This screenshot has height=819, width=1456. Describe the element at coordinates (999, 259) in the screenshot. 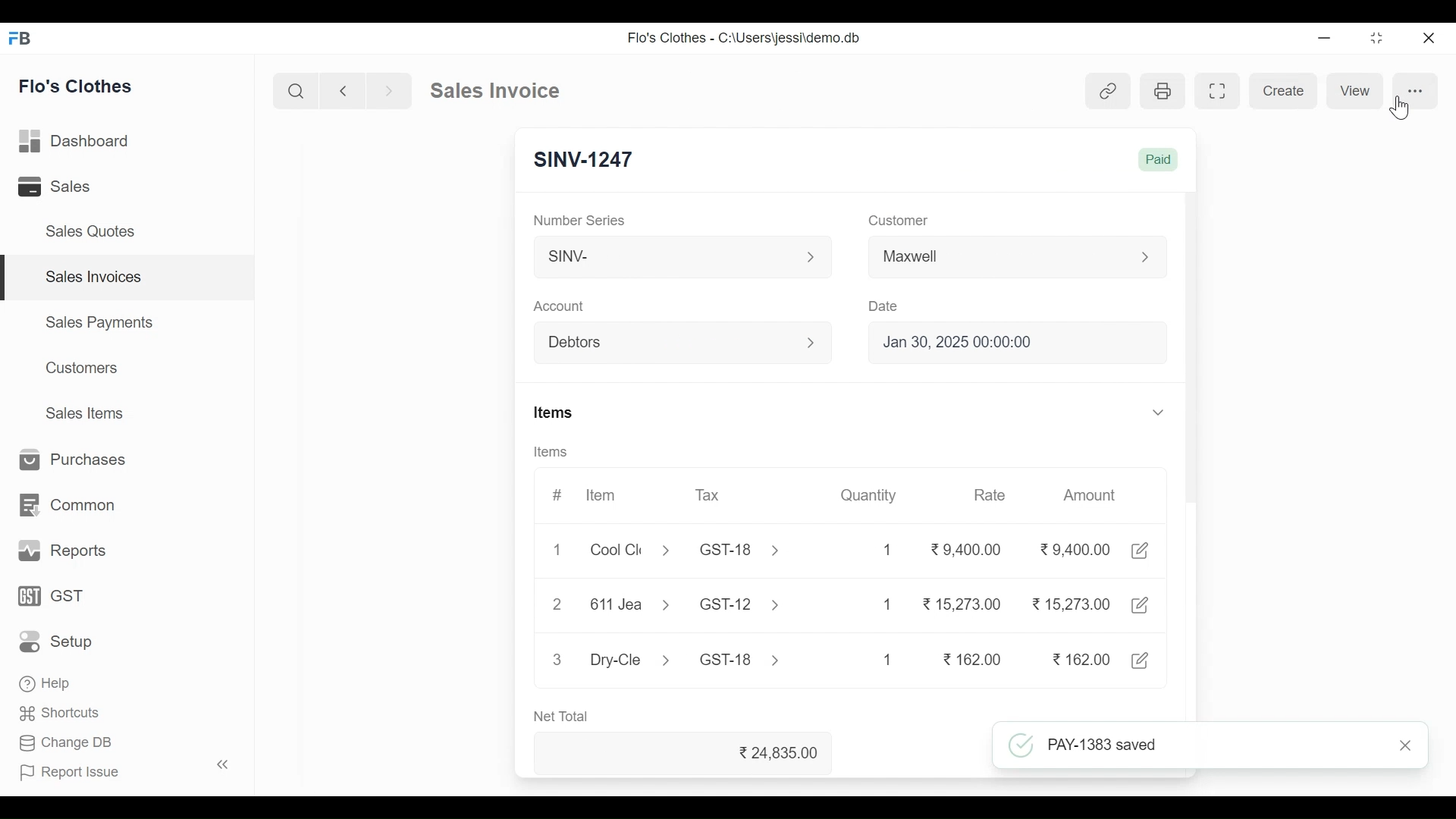

I see `Maxwell` at that location.